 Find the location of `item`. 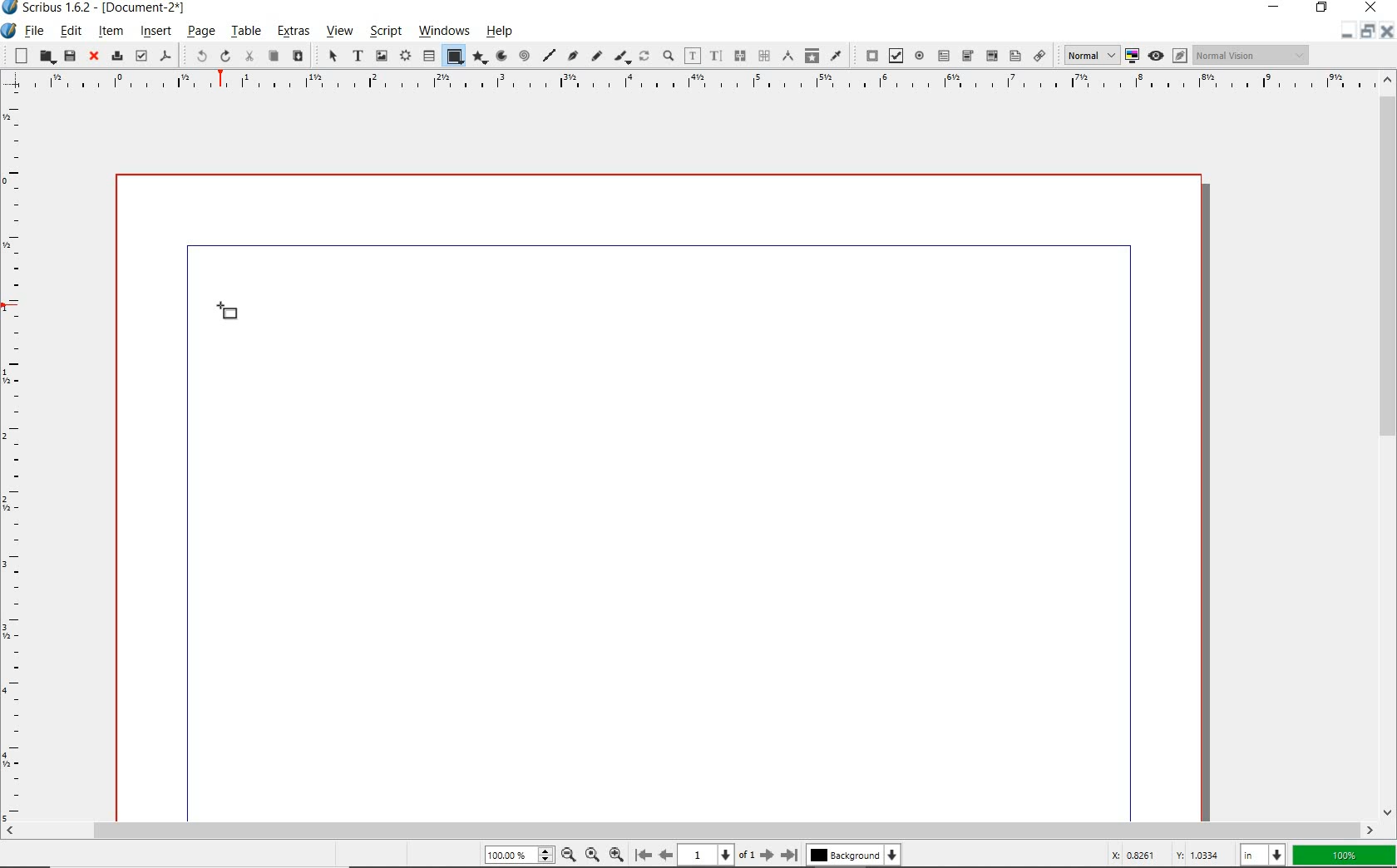

item is located at coordinates (111, 32).